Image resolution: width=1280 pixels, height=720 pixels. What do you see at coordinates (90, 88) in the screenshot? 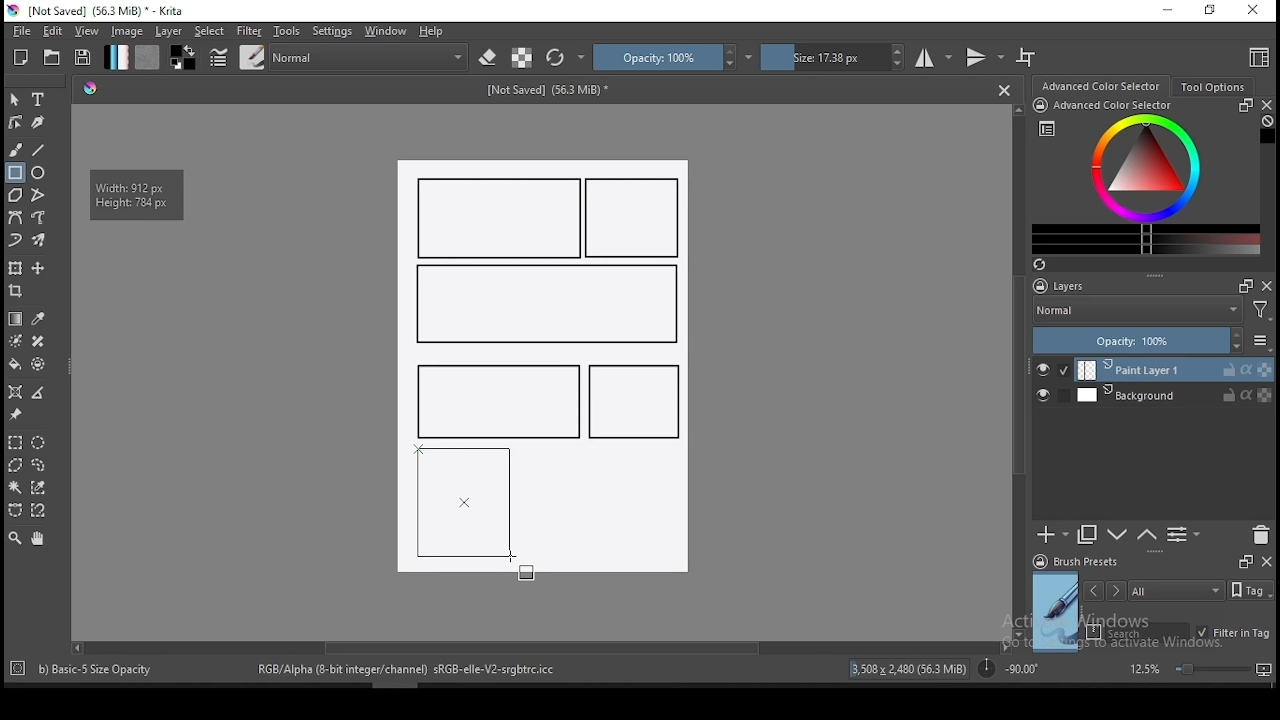
I see `Hue` at bounding box center [90, 88].